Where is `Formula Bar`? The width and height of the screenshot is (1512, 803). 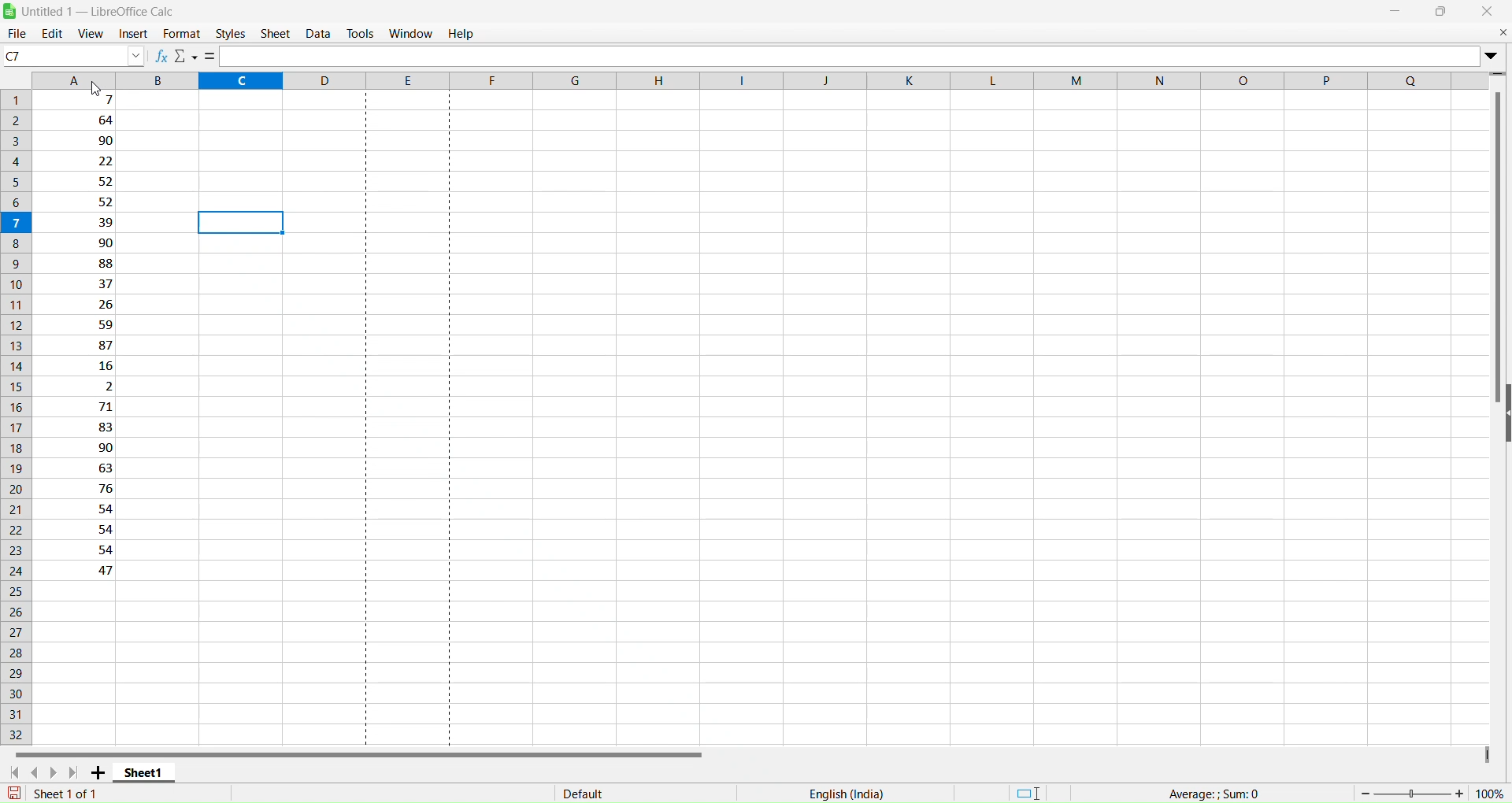
Formula Bar is located at coordinates (849, 54).